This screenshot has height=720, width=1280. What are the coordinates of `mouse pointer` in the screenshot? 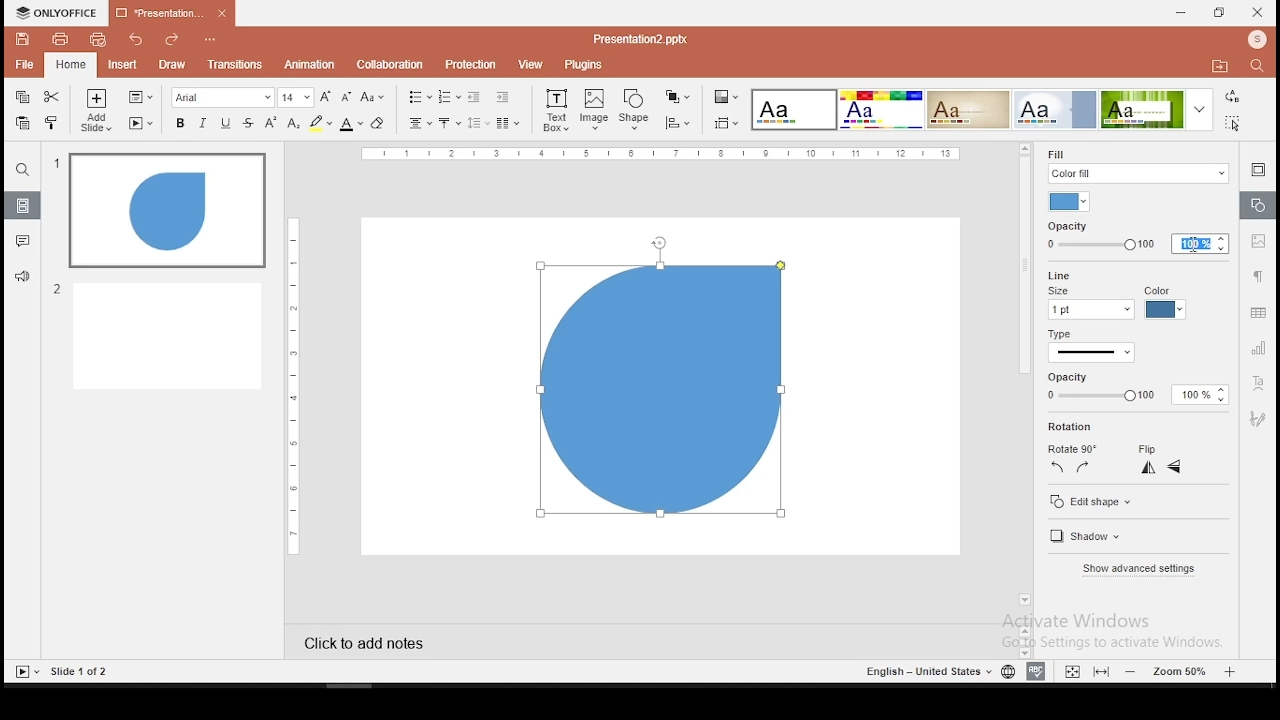 It's located at (1192, 246).